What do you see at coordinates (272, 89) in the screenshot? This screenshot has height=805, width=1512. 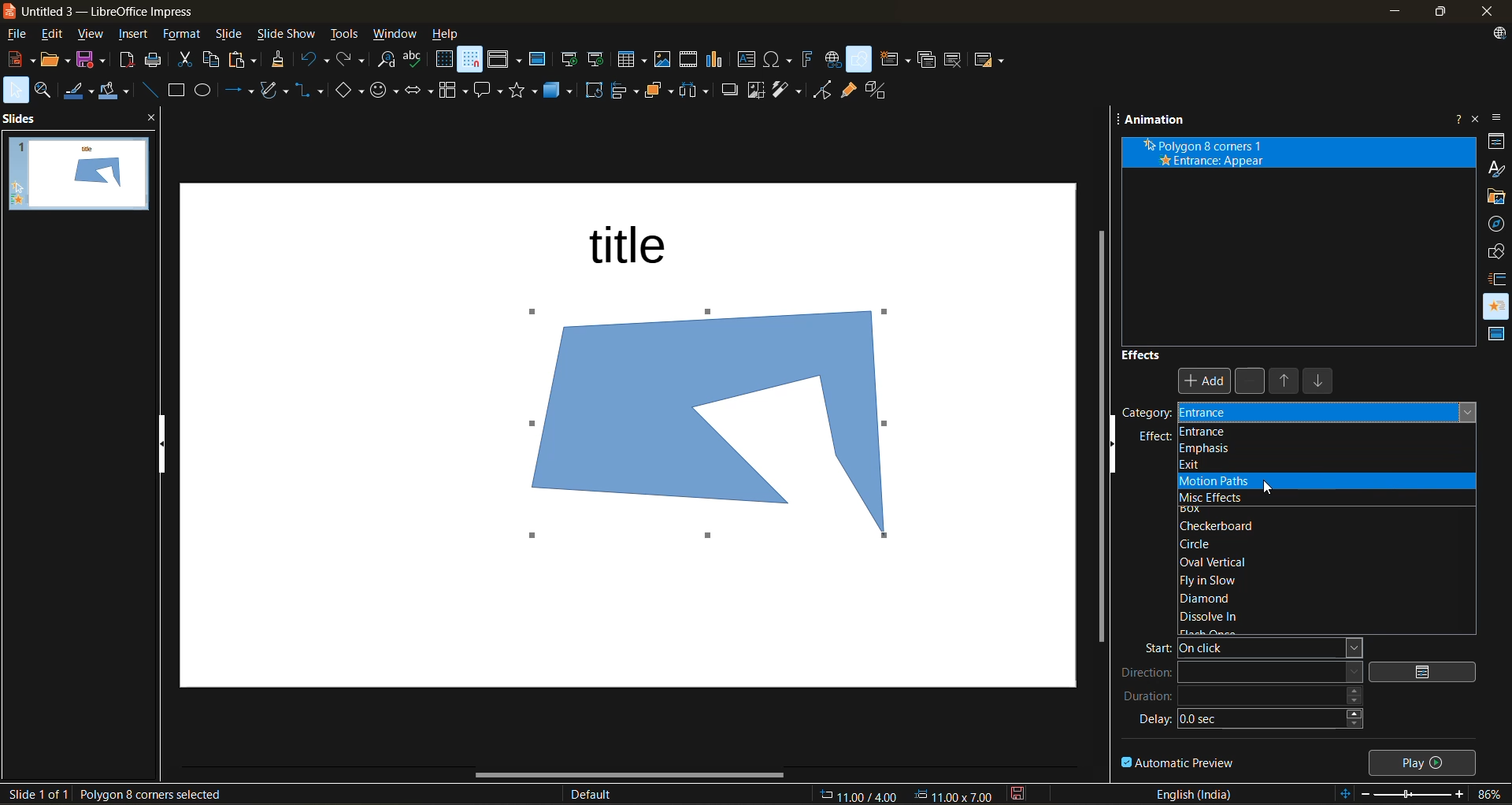 I see `shapes and polygons` at bounding box center [272, 89].